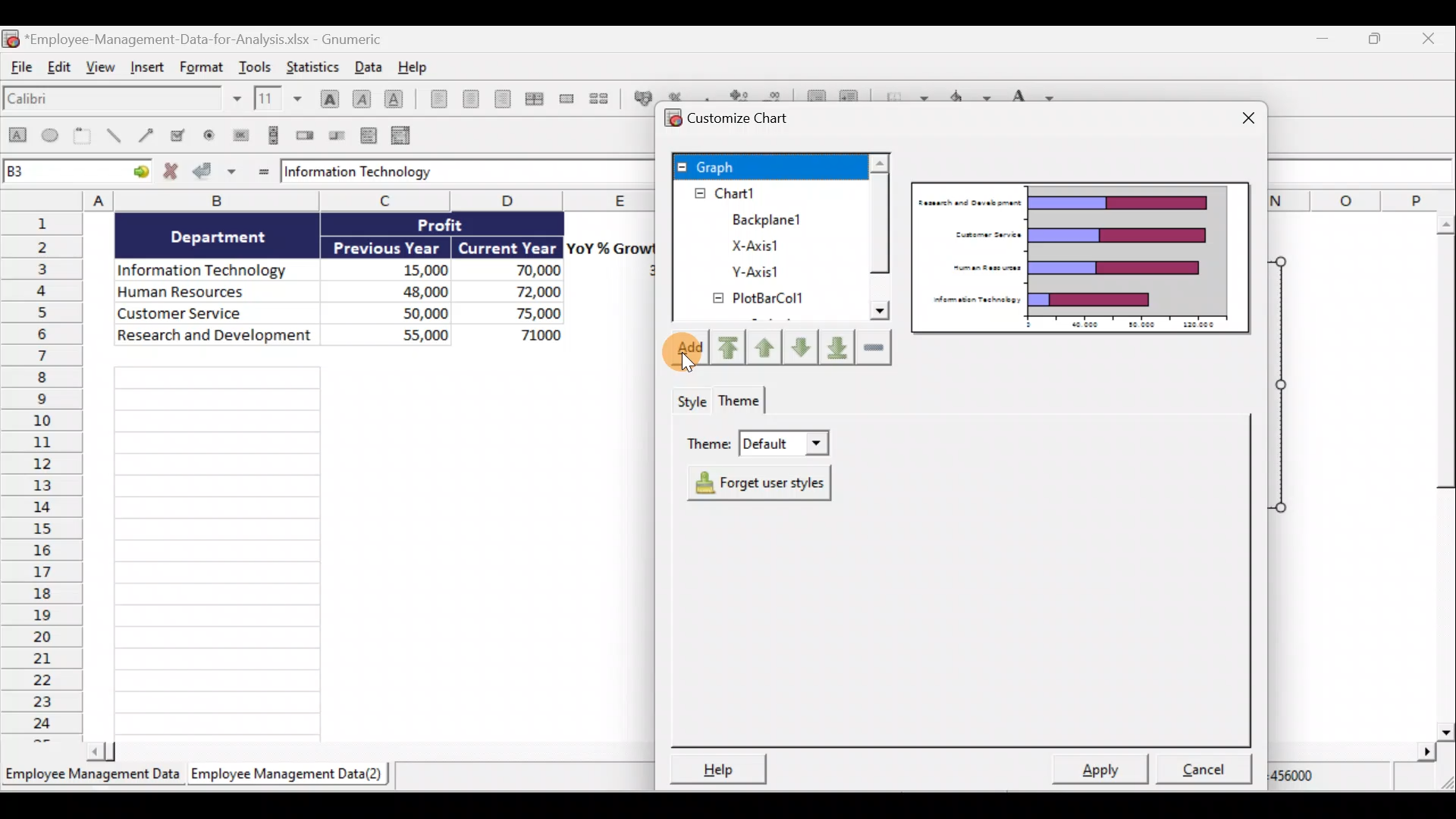 Image resolution: width=1456 pixels, height=819 pixels. I want to click on Help, so click(413, 66).